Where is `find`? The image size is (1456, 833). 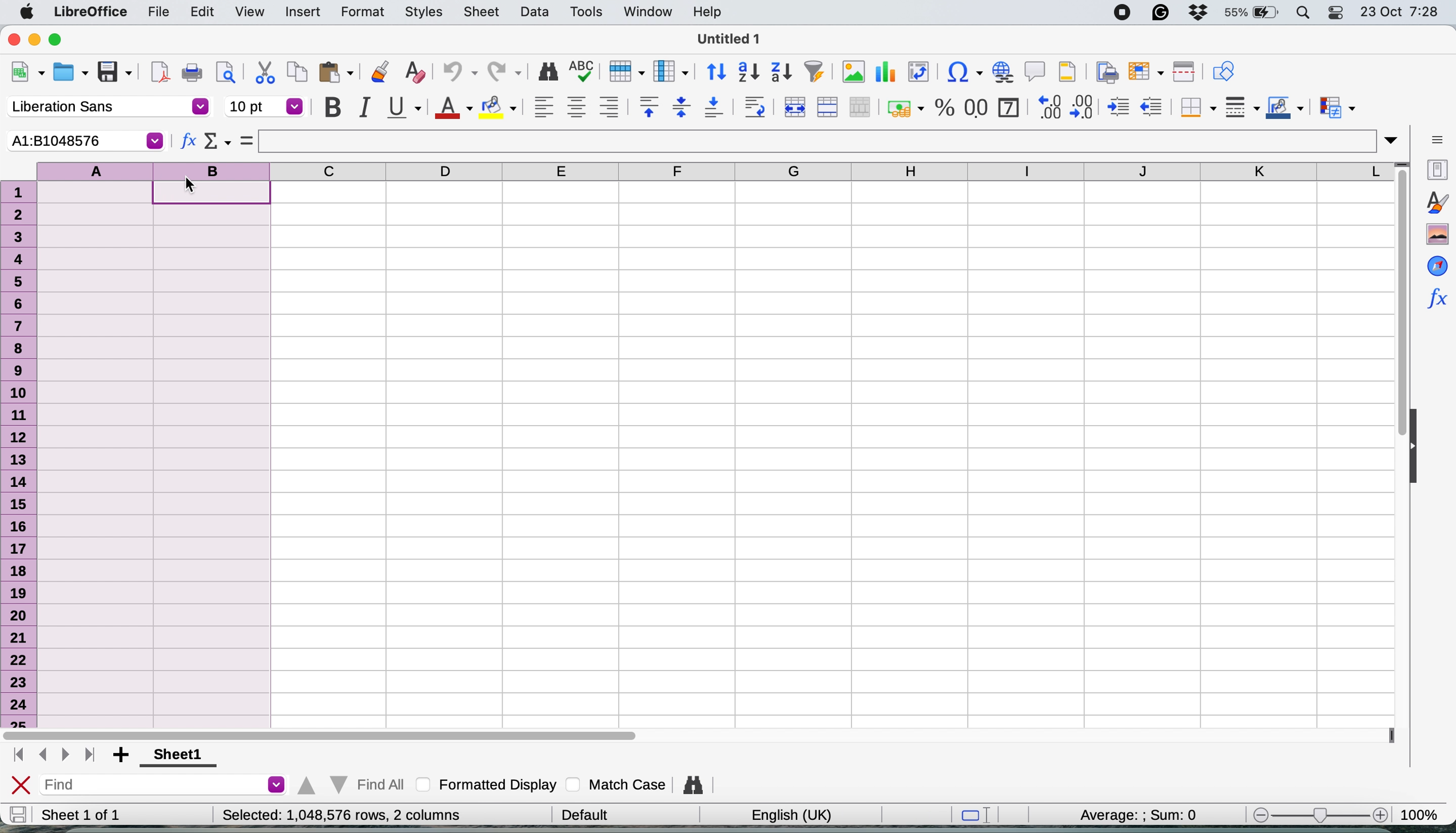 find is located at coordinates (162, 784).